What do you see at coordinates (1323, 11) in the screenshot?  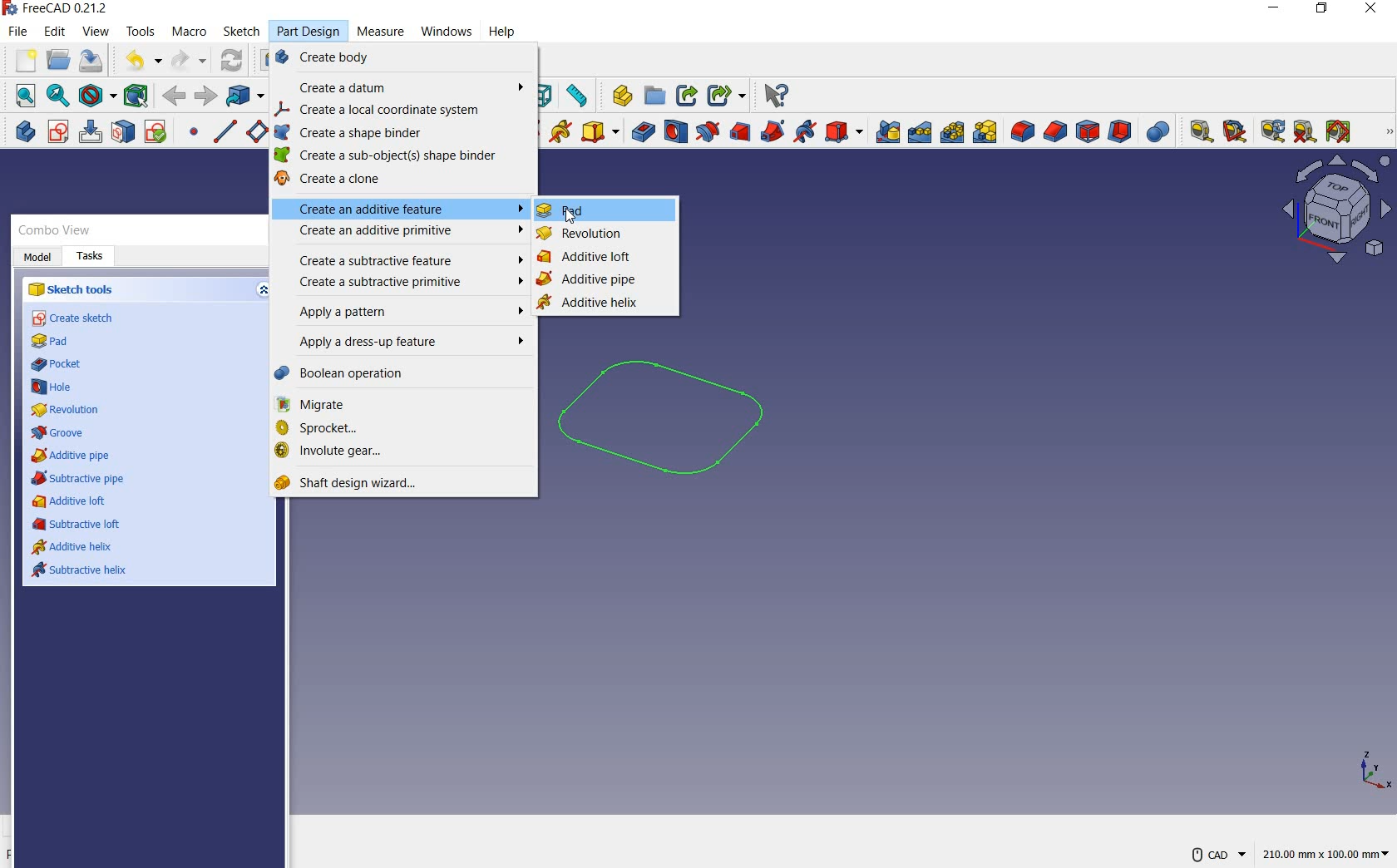 I see `restore down` at bounding box center [1323, 11].